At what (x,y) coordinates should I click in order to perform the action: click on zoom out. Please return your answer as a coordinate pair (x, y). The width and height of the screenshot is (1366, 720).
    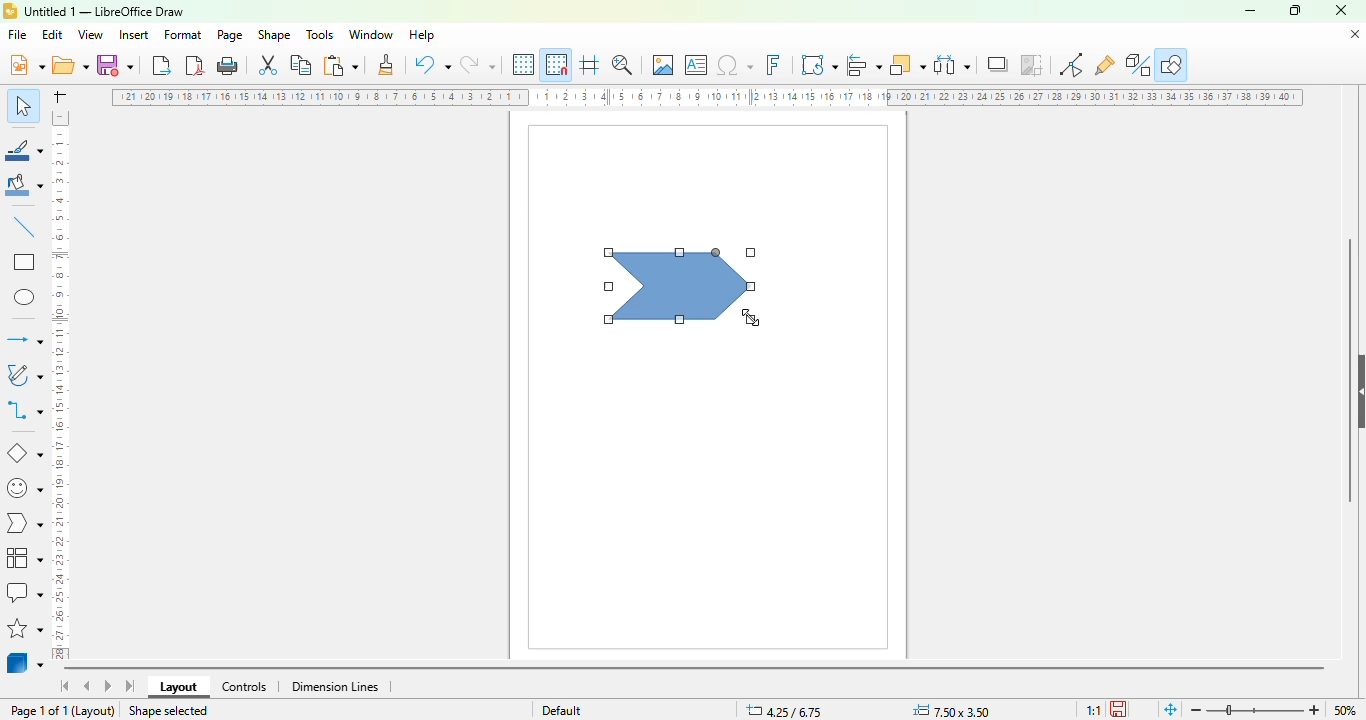
    Looking at the image, I should click on (1197, 710).